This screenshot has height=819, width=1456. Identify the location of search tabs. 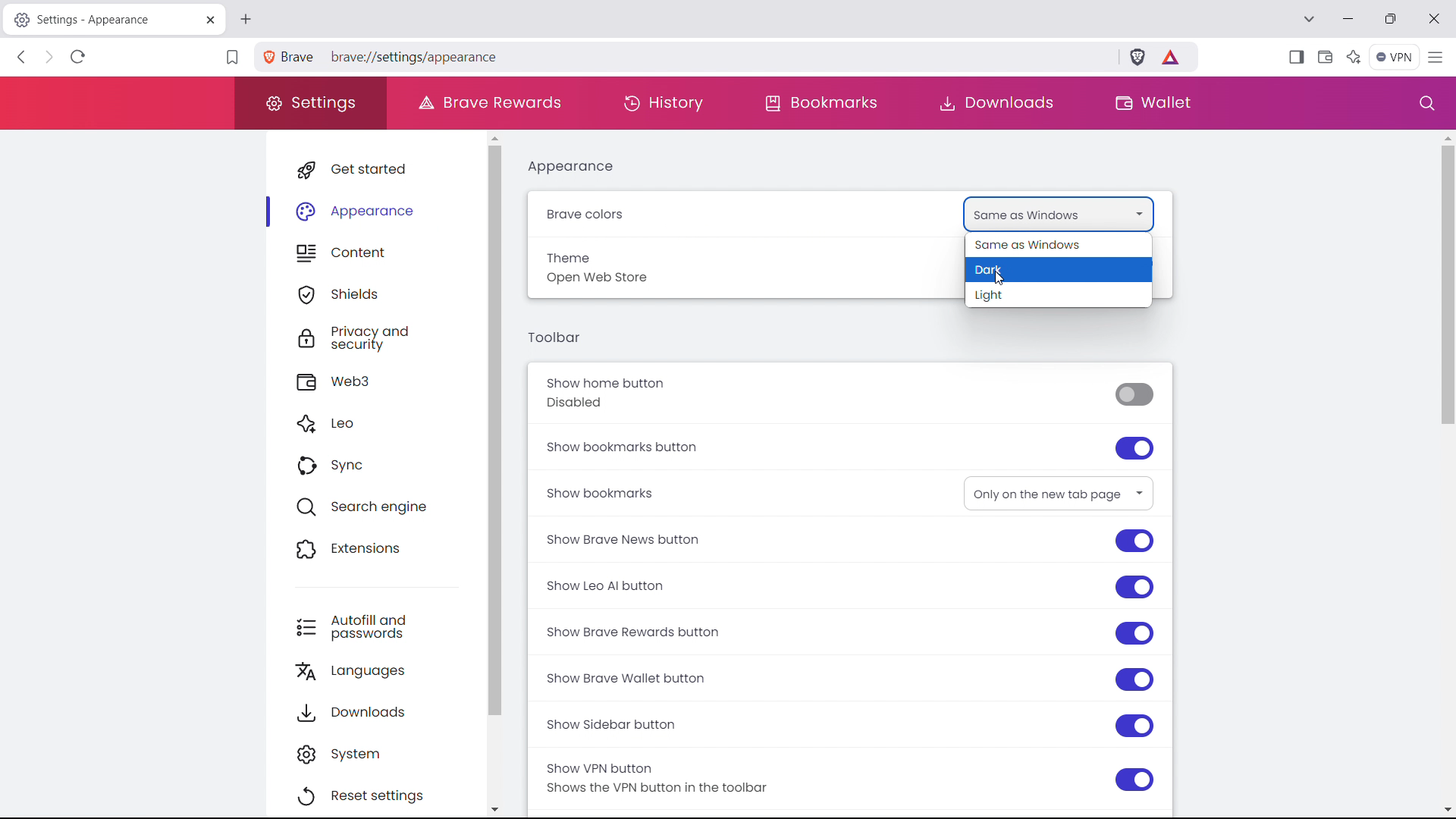
(1310, 19).